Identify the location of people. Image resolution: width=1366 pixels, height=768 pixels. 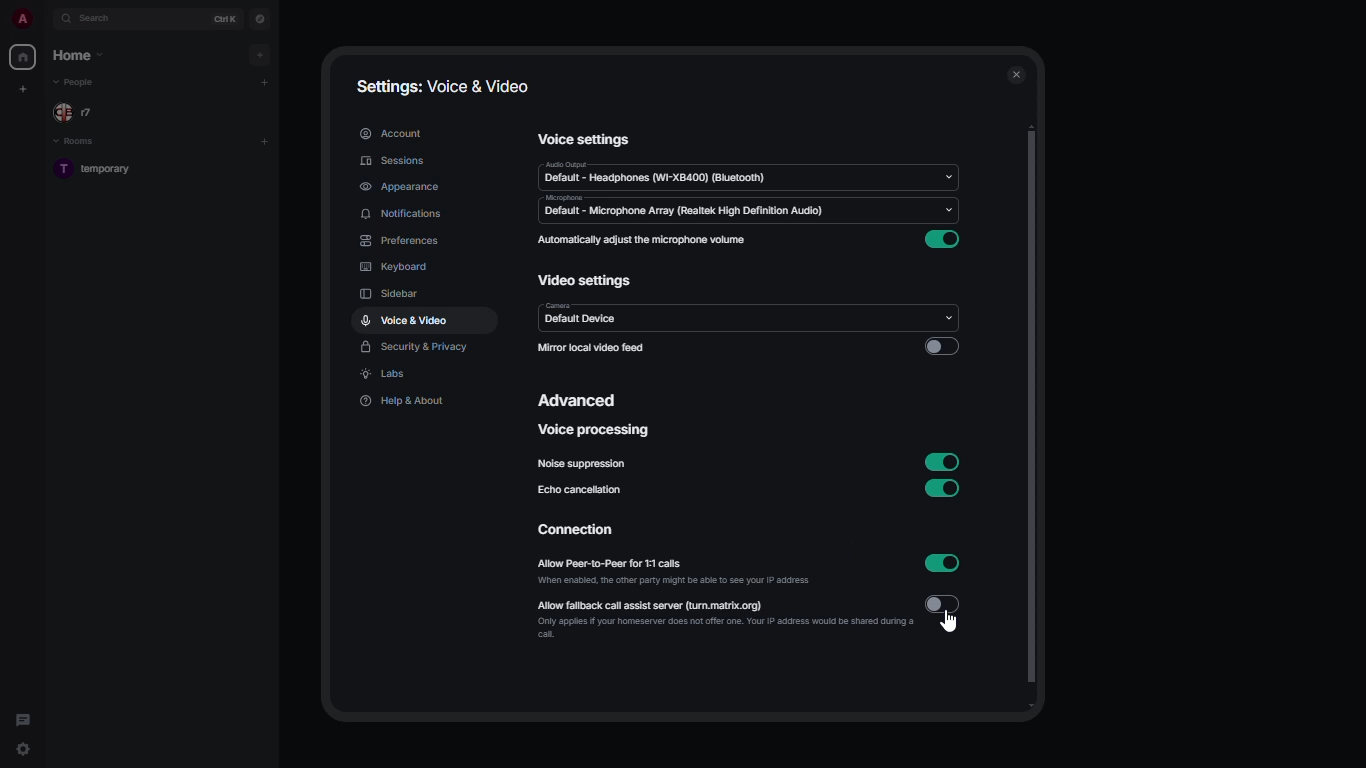
(77, 84).